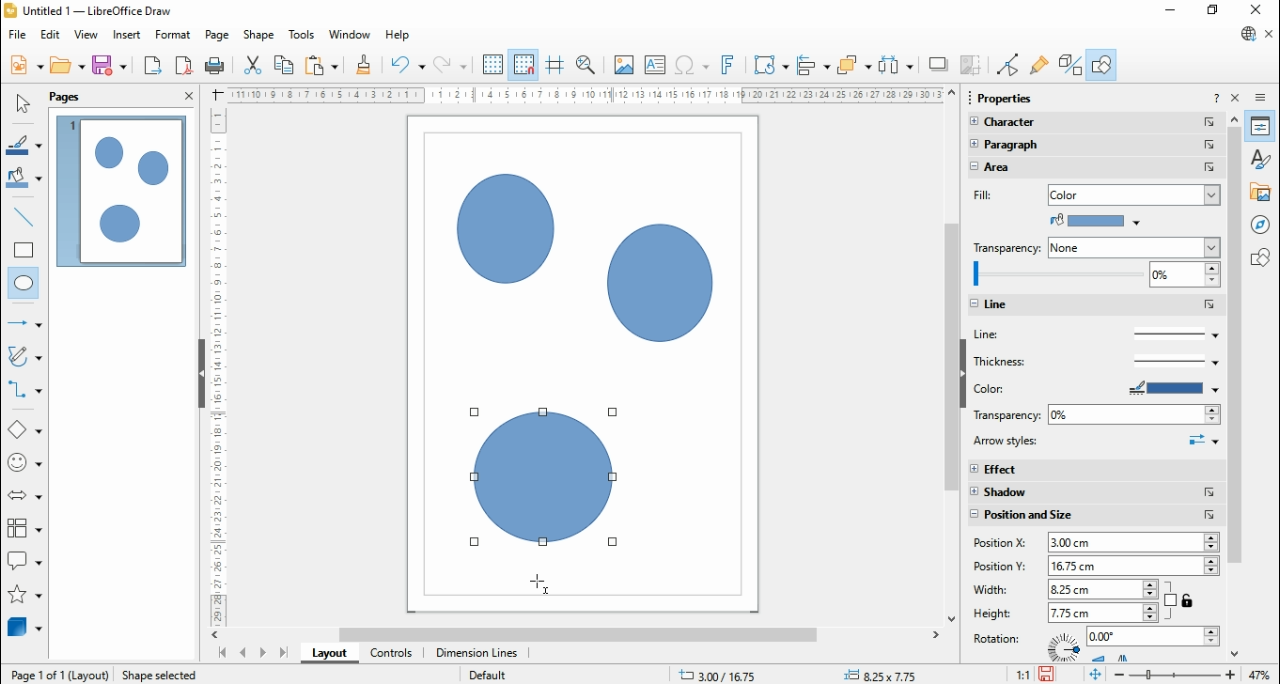  What do you see at coordinates (25, 390) in the screenshot?
I see `connectors` at bounding box center [25, 390].